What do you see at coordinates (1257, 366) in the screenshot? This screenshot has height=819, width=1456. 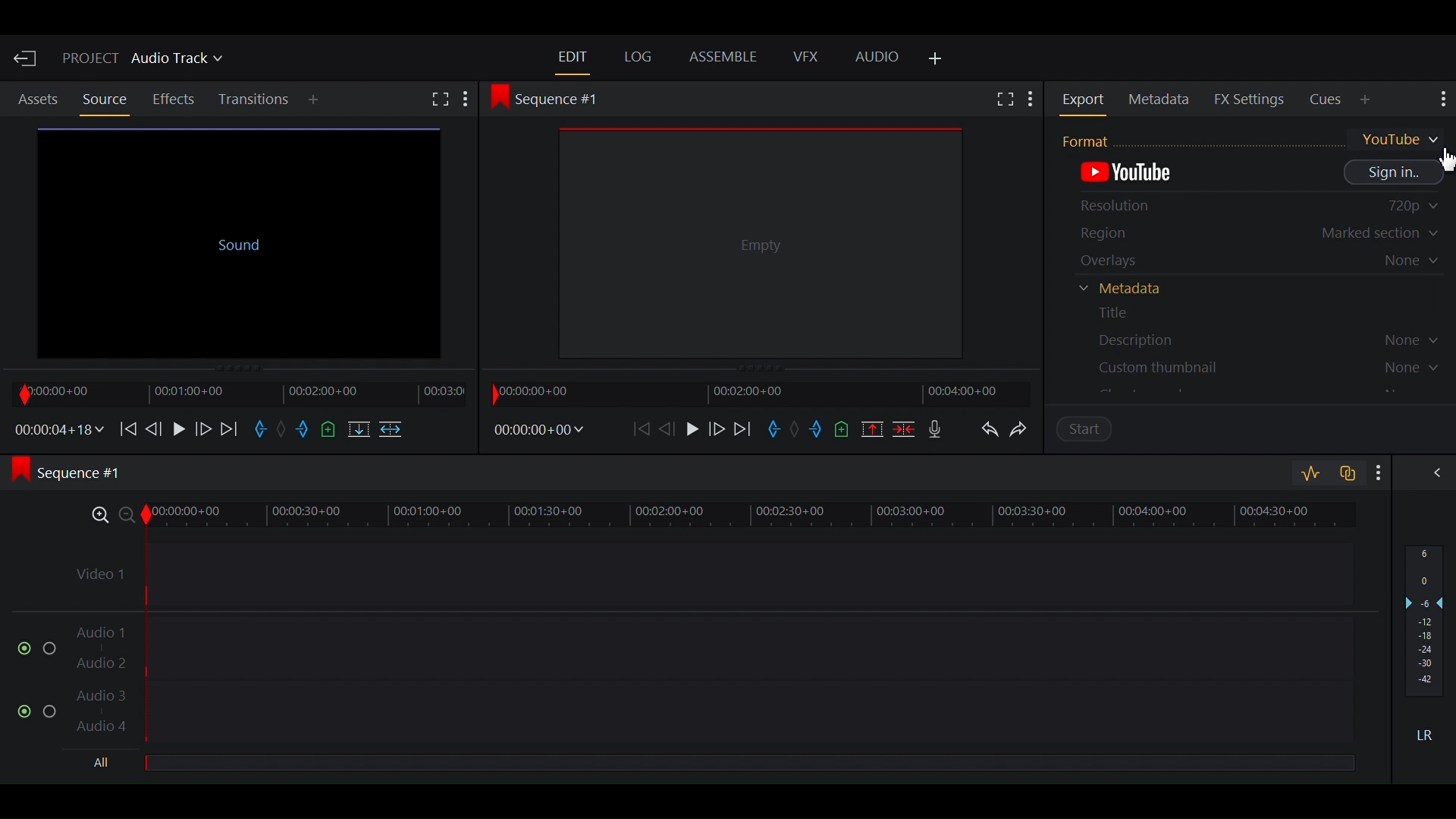 I see `Custom Thumbnail` at bounding box center [1257, 366].